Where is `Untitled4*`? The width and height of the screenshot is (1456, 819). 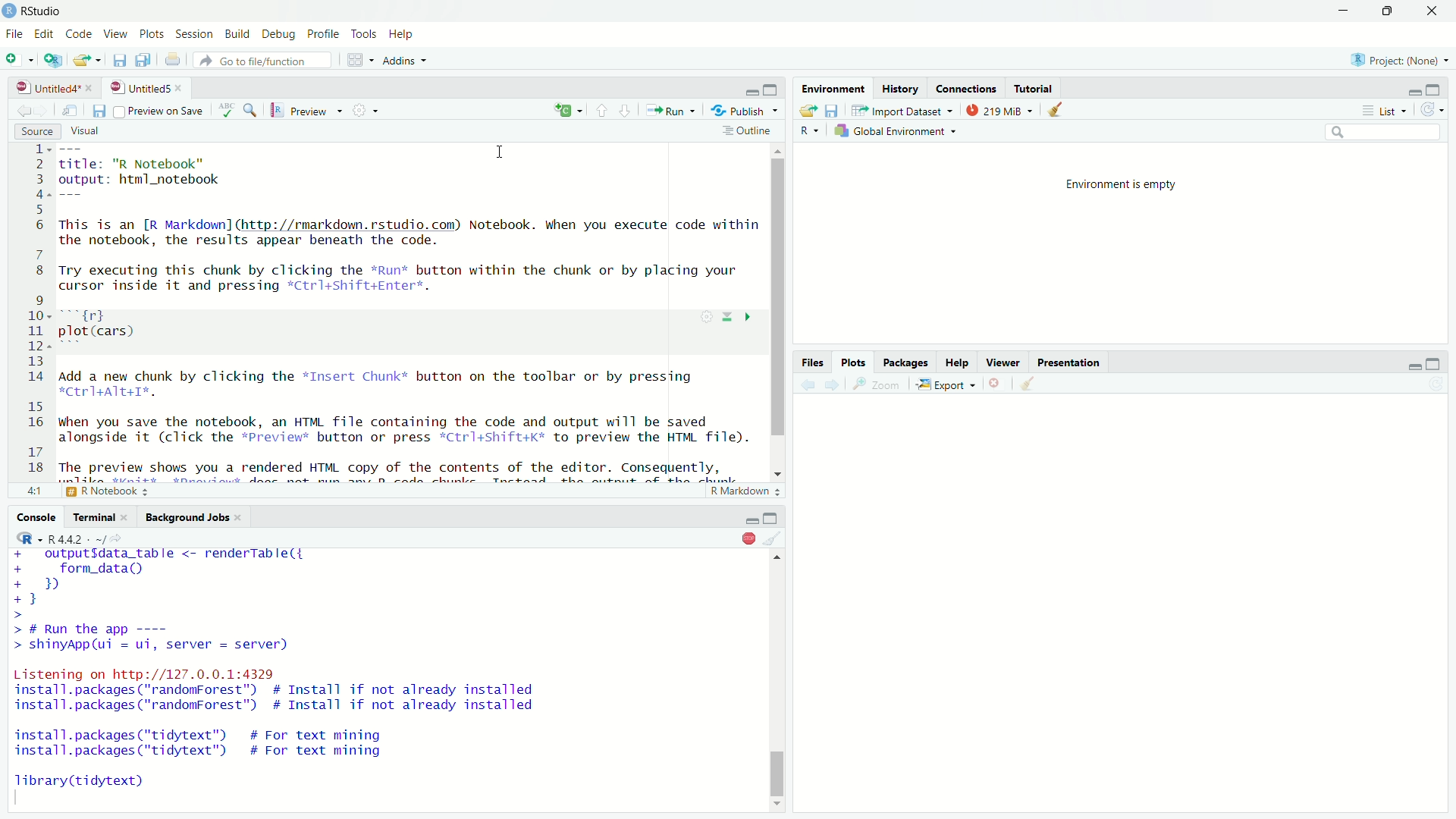
Untitled4* is located at coordinates (55, 87).